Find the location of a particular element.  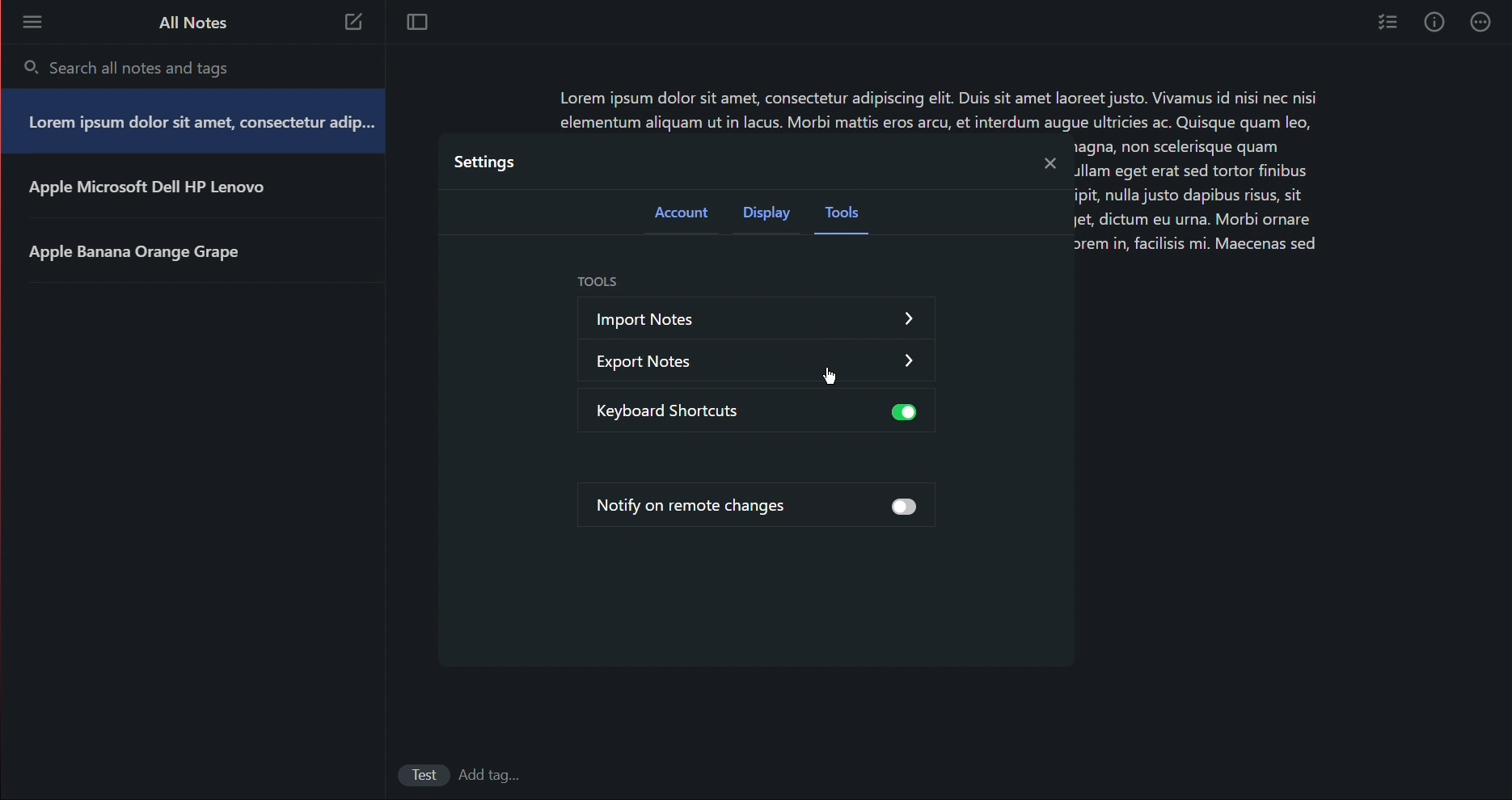

Apple Banana Orange Grape is located at coordinates (142, 251).